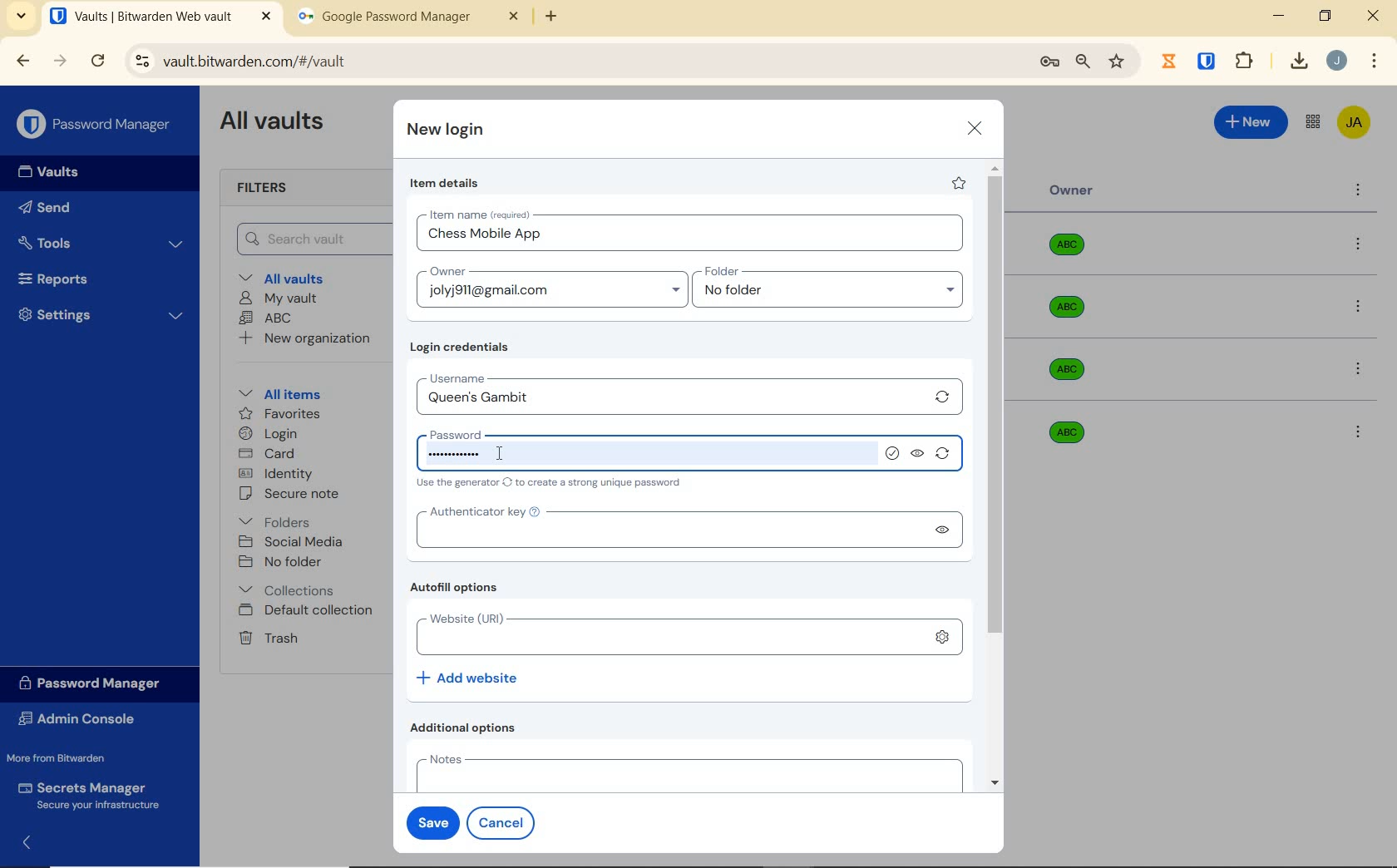  What do you see at coordinates (894, 454) in the screenshot?
I see `good` at bounding box center [894, 454].